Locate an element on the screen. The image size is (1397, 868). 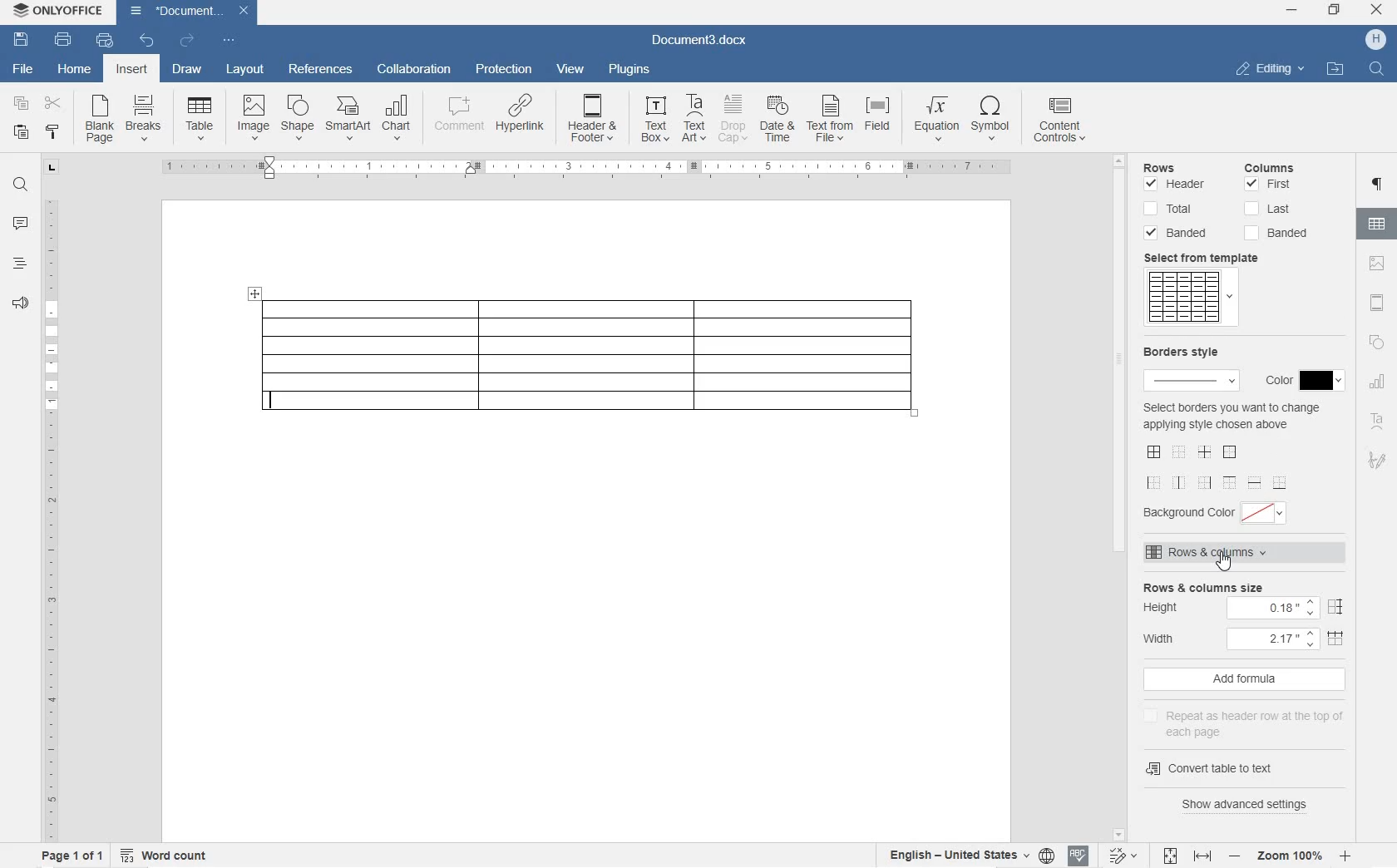
FIELD is located at coordinates (876, 116).